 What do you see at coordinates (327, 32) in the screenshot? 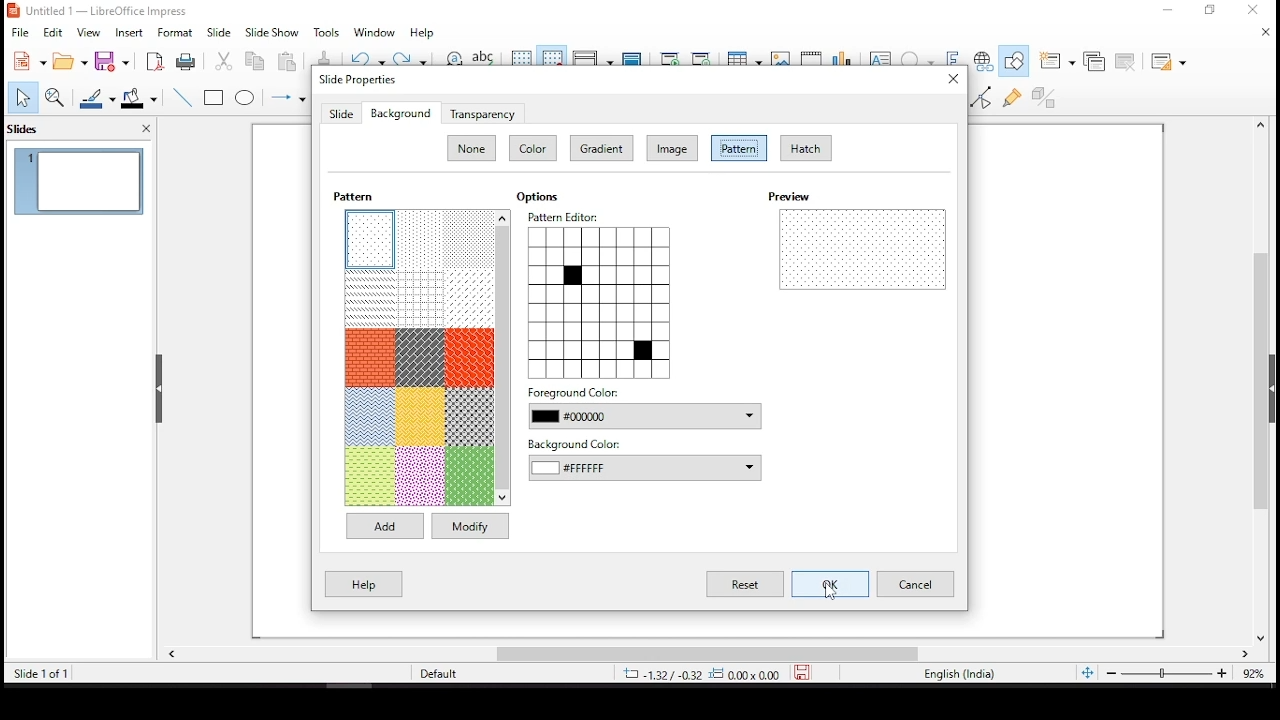
I see `tools` at bounding box center [327, 32].